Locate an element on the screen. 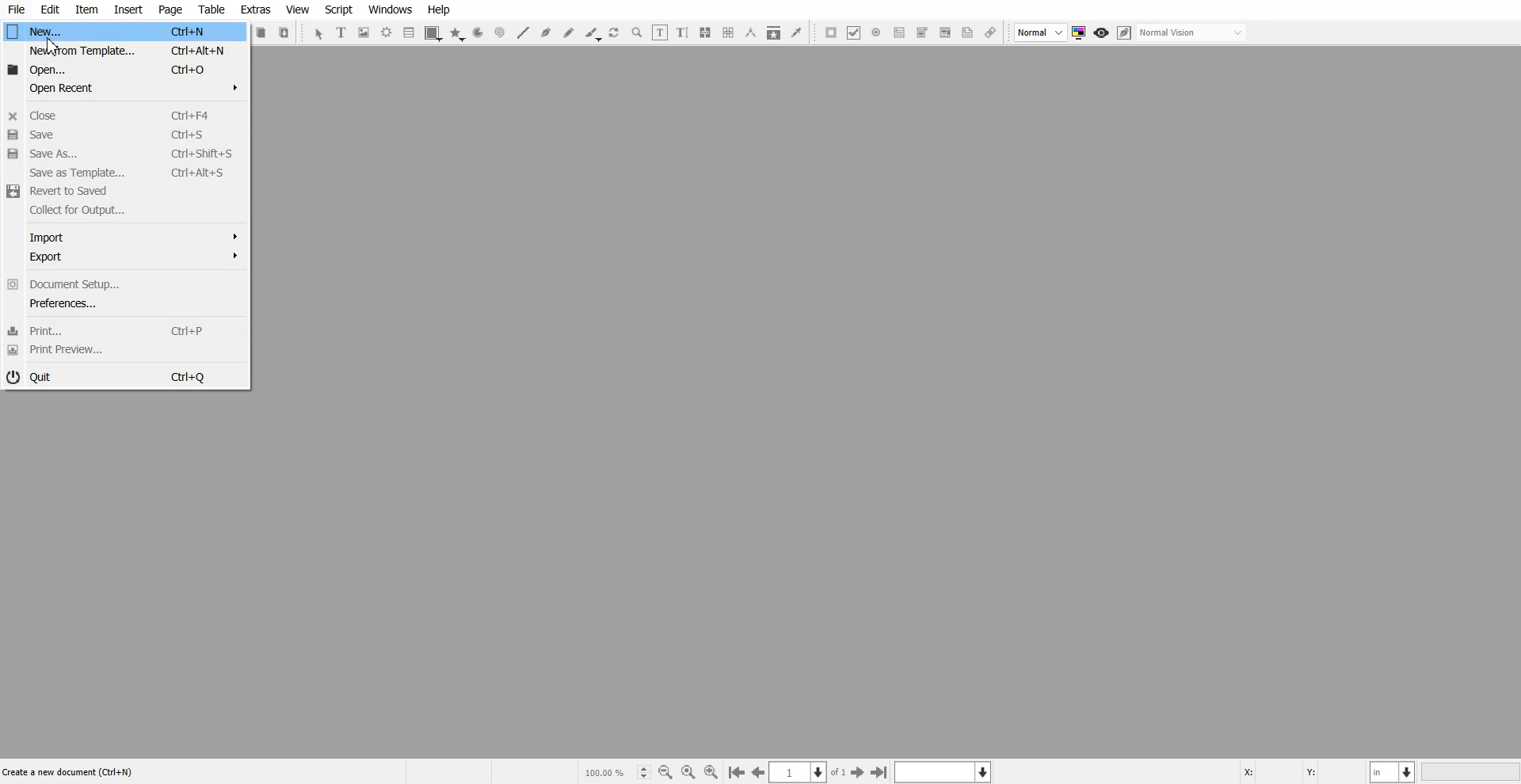 Image resolution: width=1521 pixels, height=784 pixels. X, Y Co-ordinate is located at coordinates (1302, 771).